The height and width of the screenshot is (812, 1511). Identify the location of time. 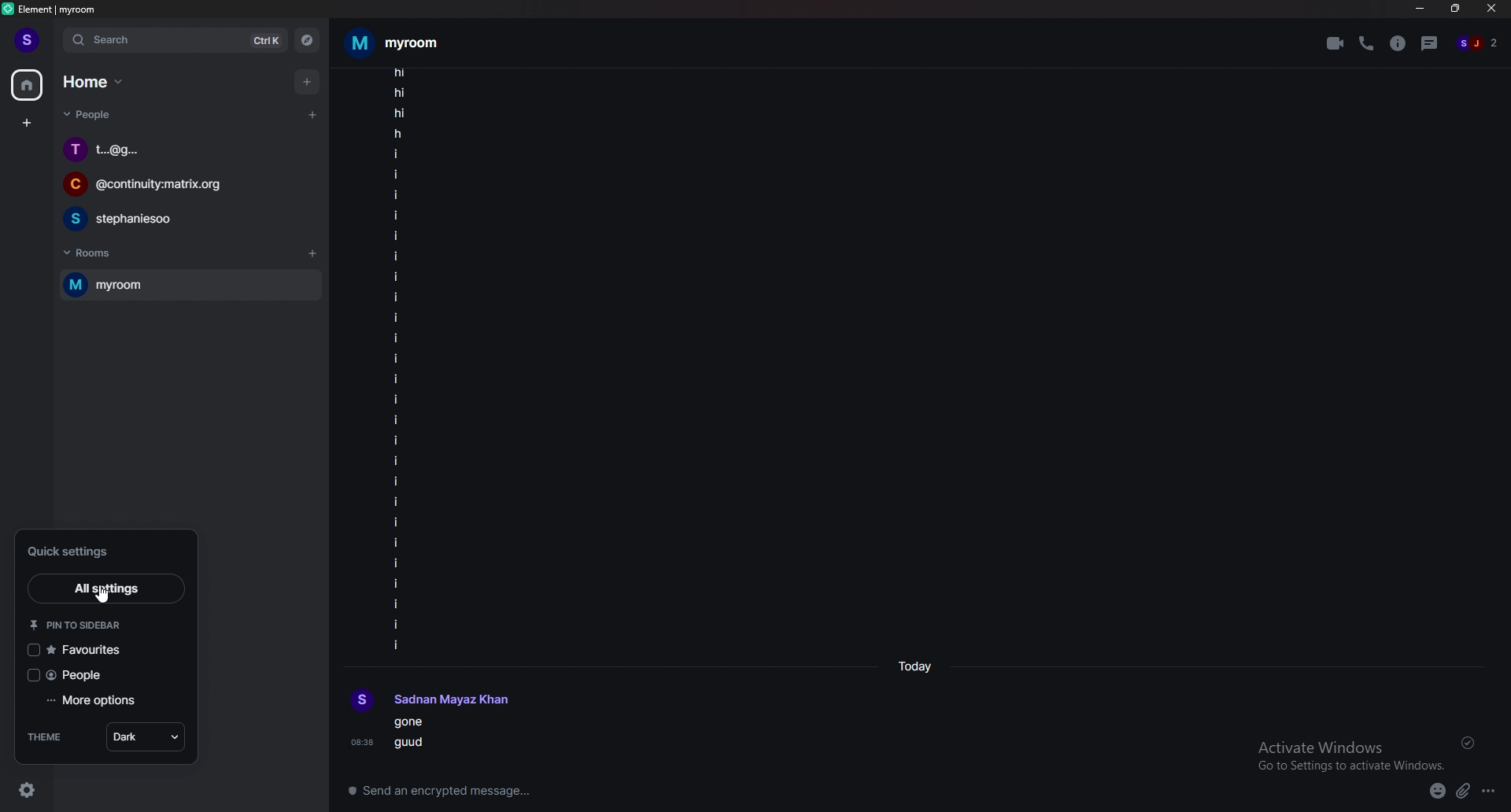
(914, 666).